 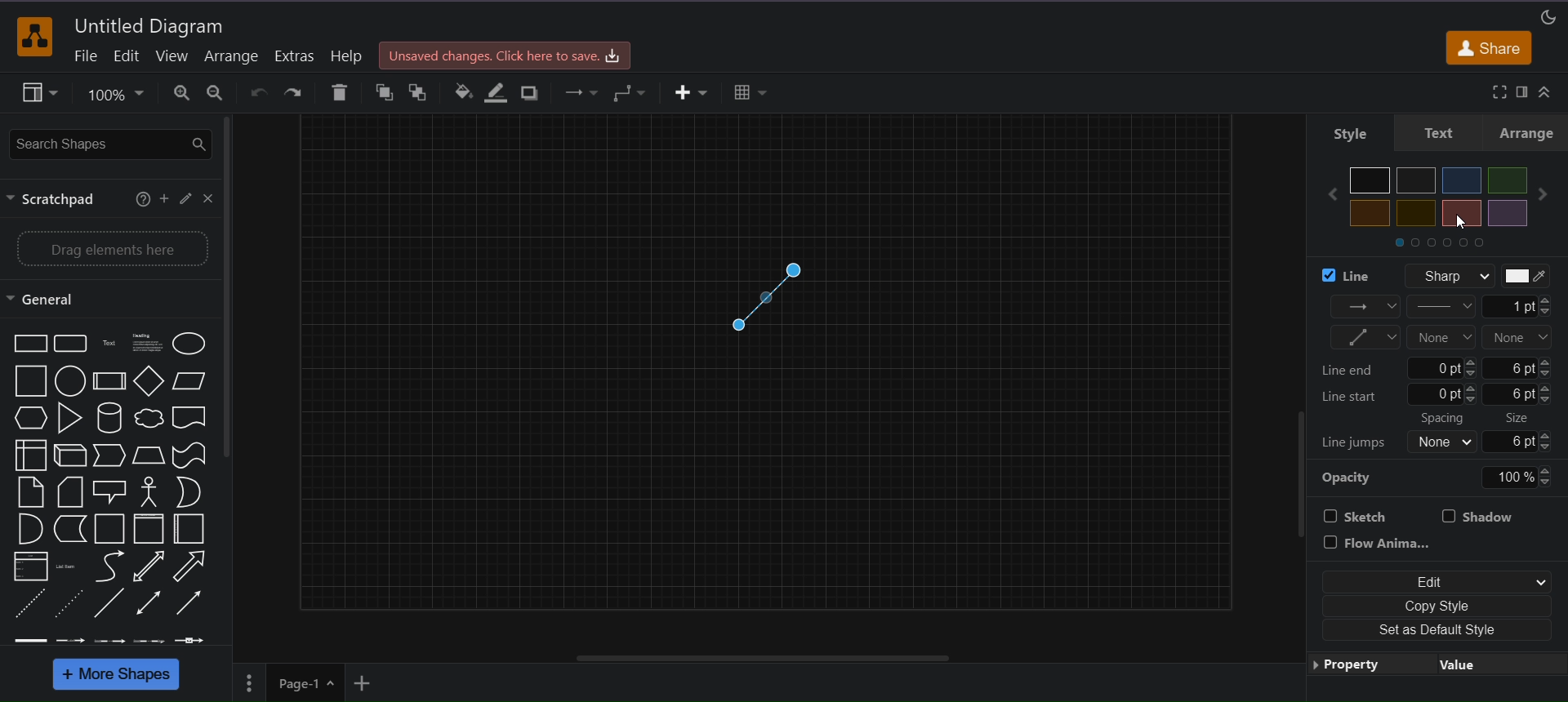 I want to click on property, so click(x=1355, y=664).